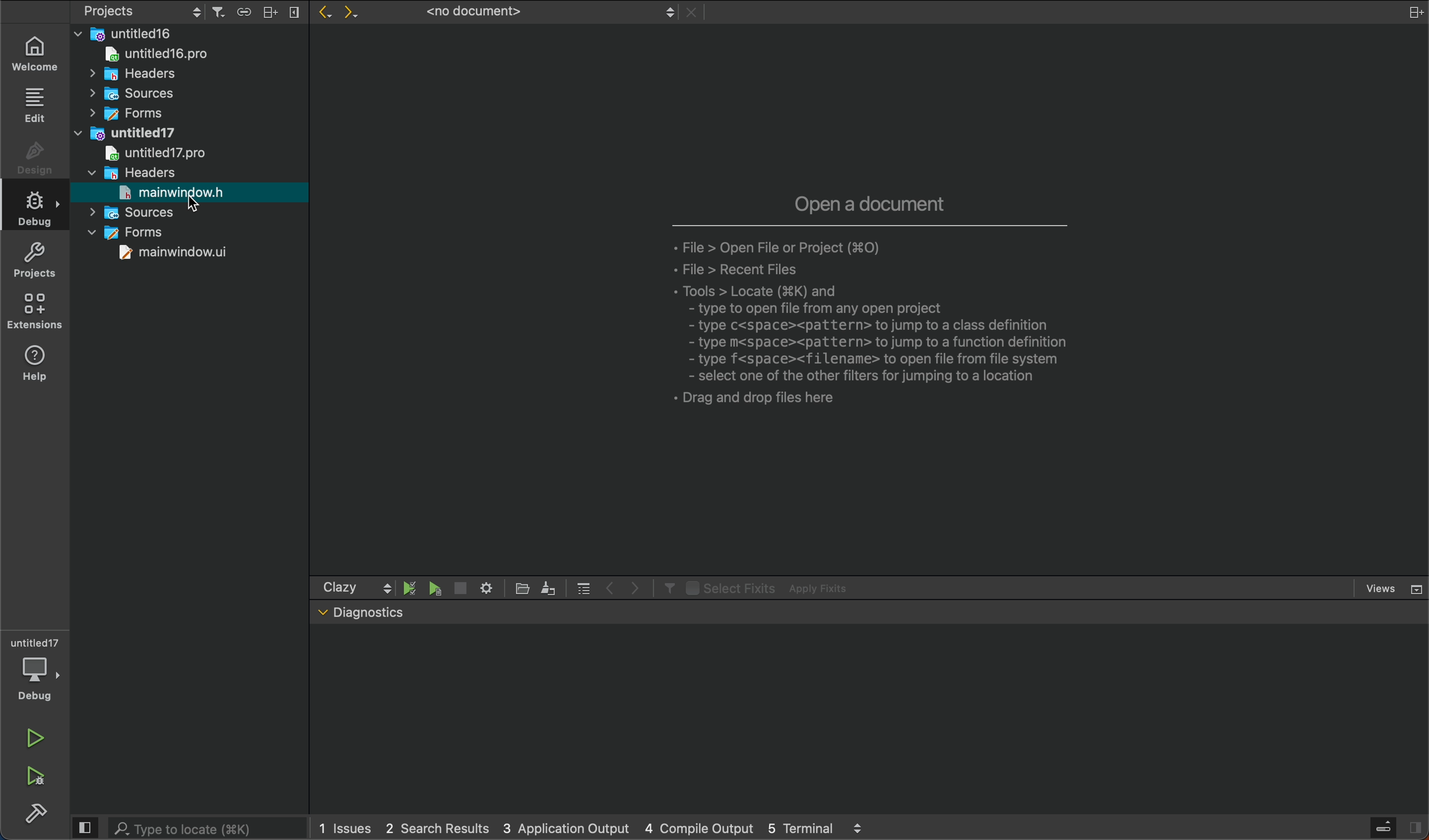 The height and width of the screenshot is (840, 1429). I want to click on mainwindow.h, so click(172, 192).